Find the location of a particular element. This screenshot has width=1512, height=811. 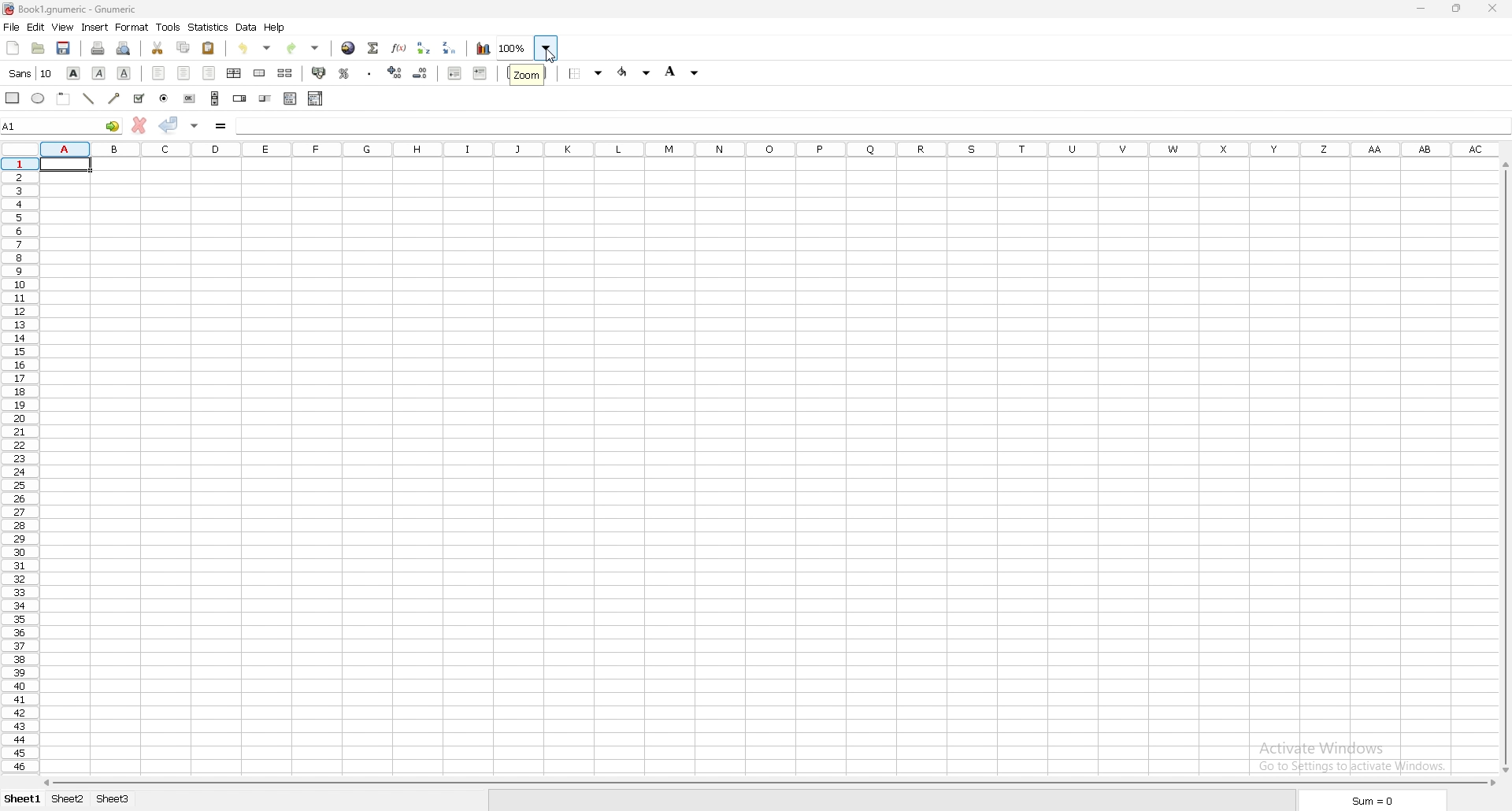

data is located at coordinates (246, 28).